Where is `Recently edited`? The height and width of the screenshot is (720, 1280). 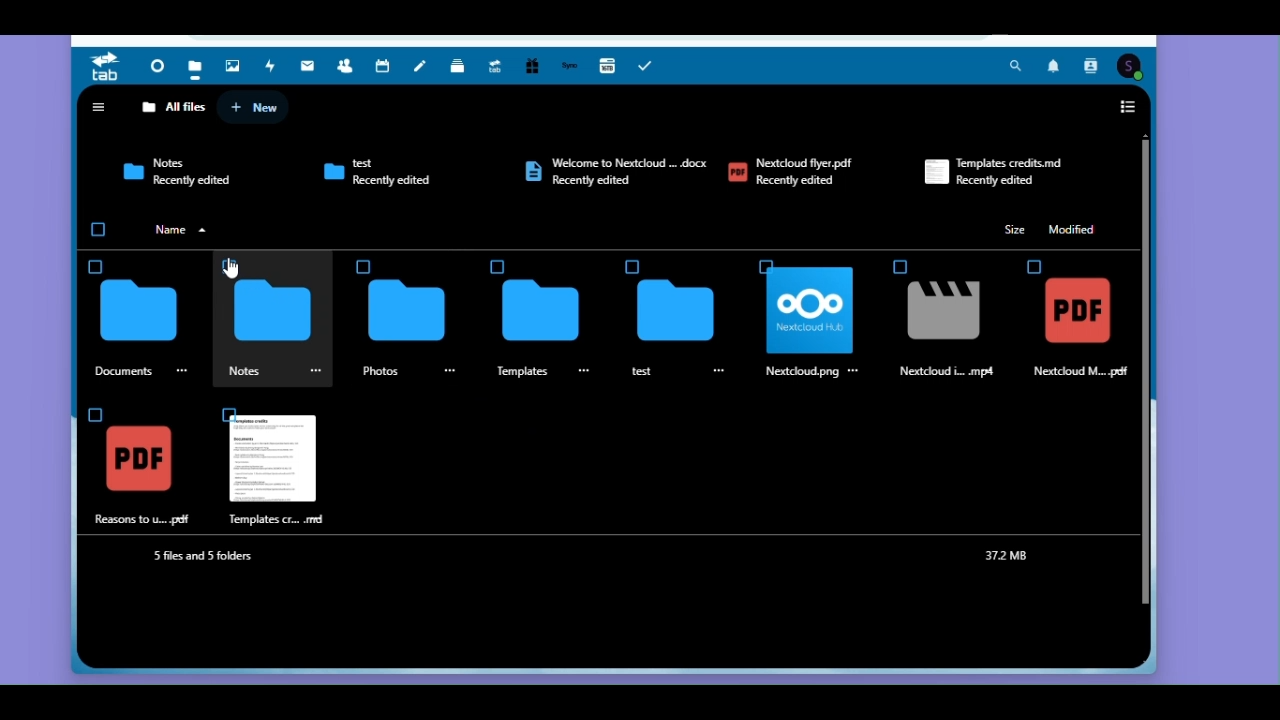 Recently edited is located at coordinates (602, 181).